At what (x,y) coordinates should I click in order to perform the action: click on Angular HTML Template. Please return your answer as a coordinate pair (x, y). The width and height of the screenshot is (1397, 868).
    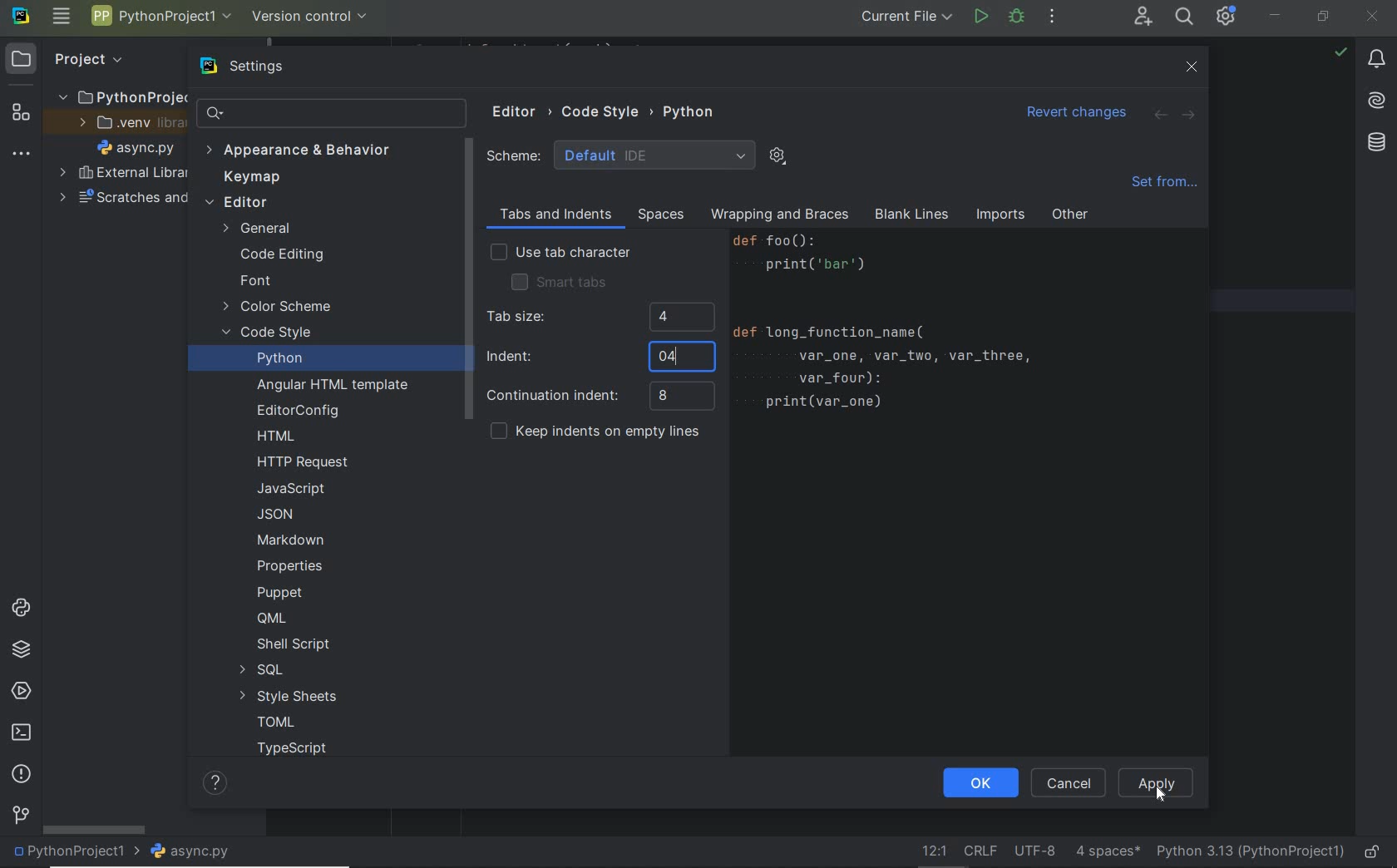
    Looking at the image, I should click on (333, 387).